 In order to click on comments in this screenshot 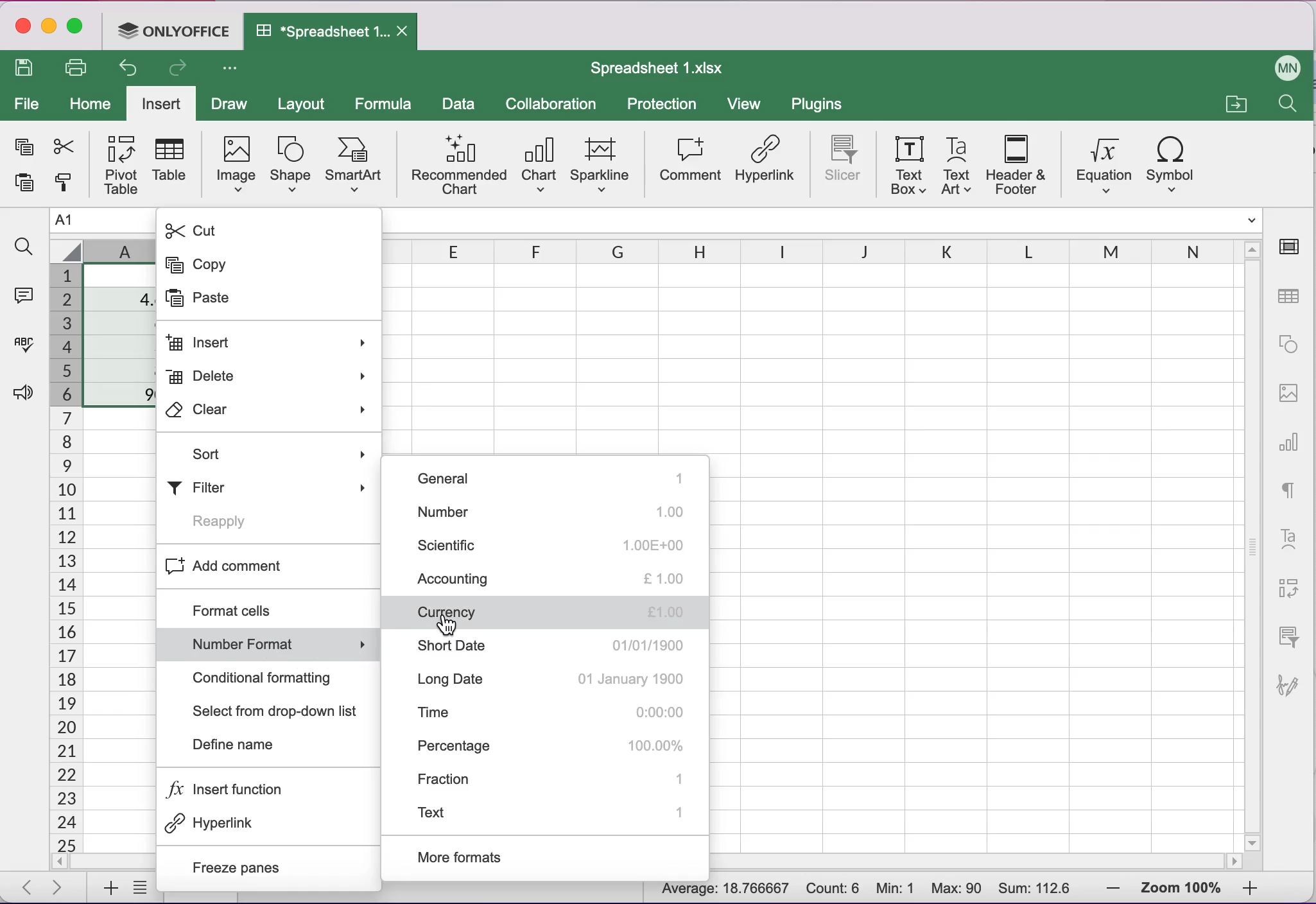, I will do `click(24, 297)`.